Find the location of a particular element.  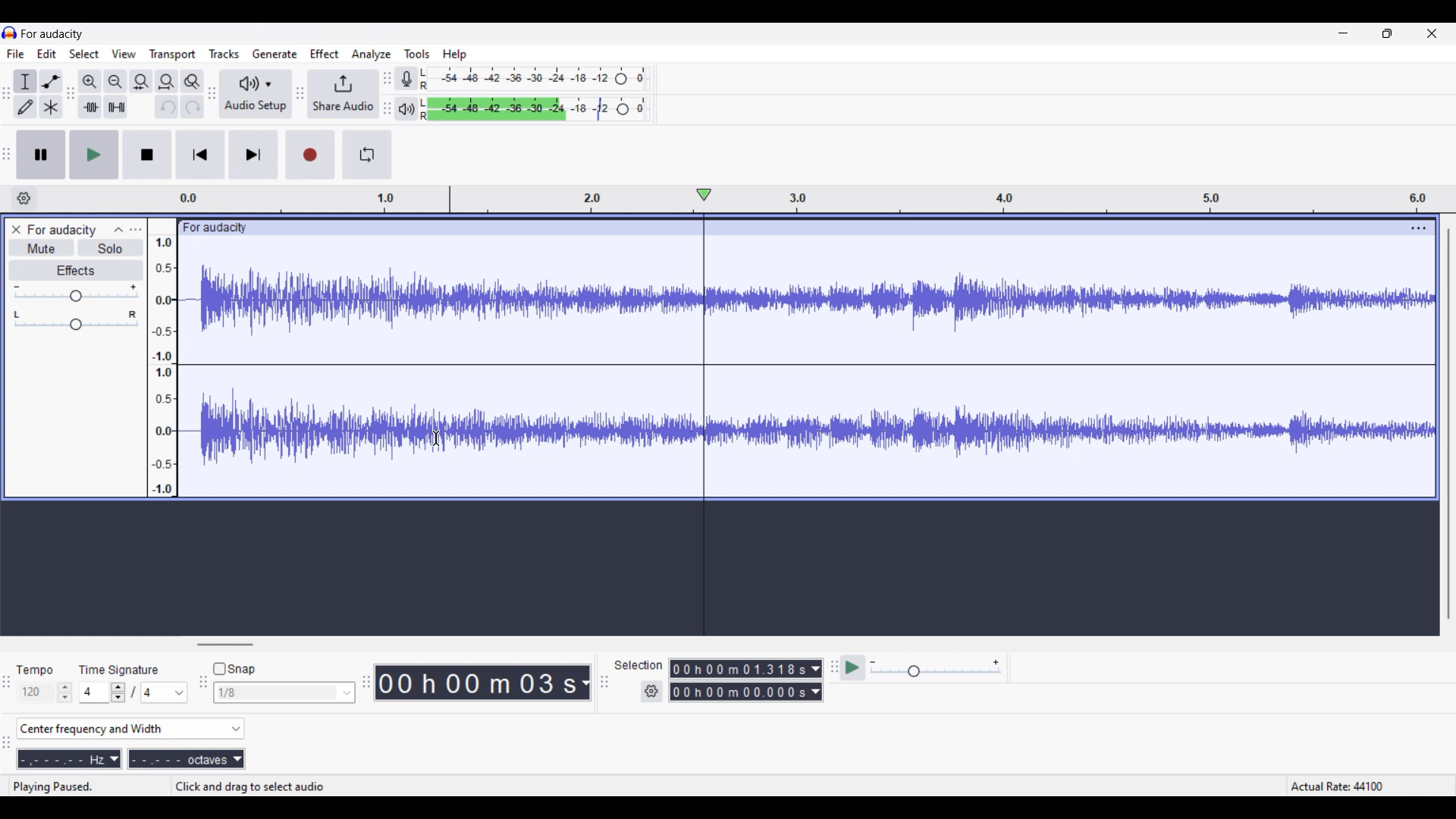

Snap toggle is located at coordinates (235, 669).